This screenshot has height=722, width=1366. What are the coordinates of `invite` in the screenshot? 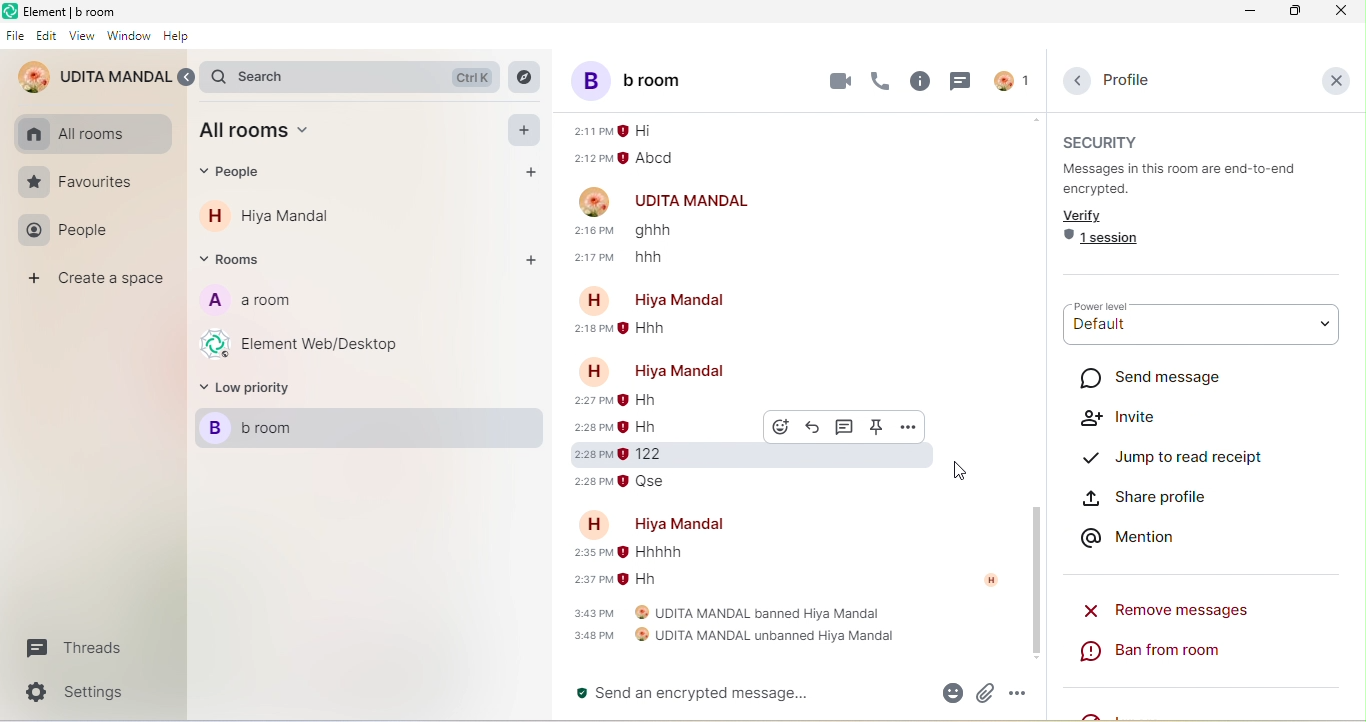 It's located at (1133, 417).